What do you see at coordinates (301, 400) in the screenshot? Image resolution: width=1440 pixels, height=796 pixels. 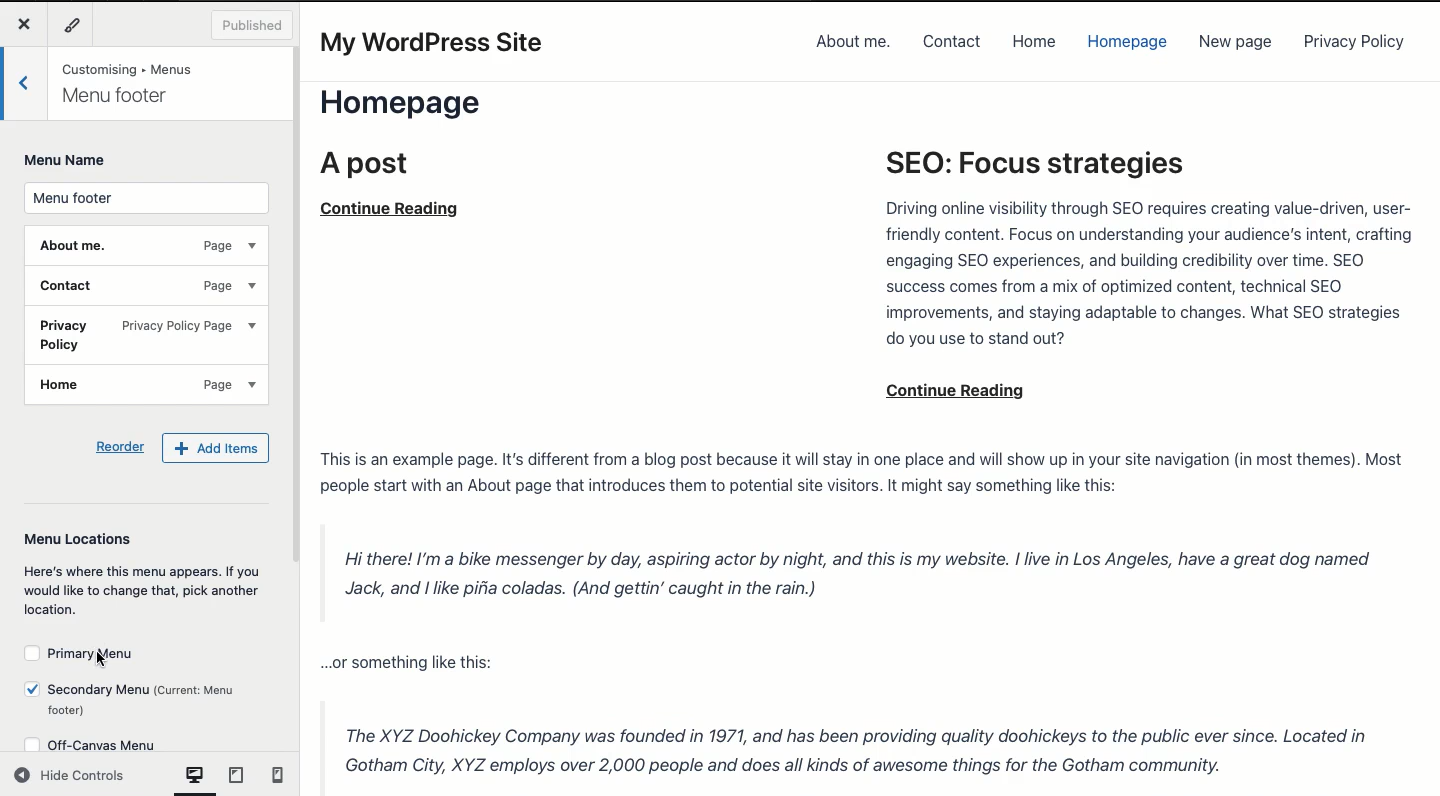 I see `Scroll` at bounding box center [301, 400].